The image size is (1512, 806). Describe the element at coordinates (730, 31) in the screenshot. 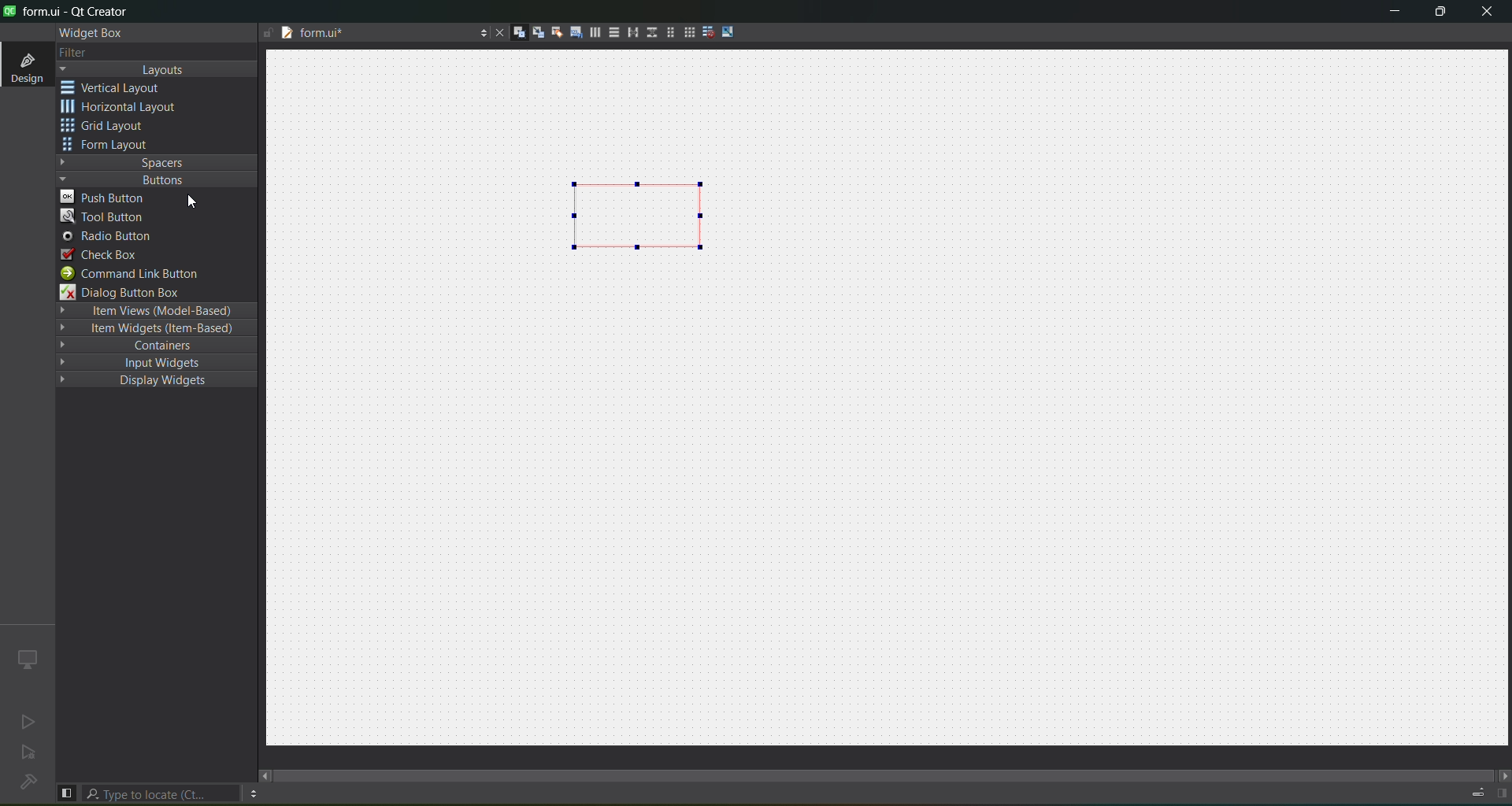

I see `adjust size` at that location.